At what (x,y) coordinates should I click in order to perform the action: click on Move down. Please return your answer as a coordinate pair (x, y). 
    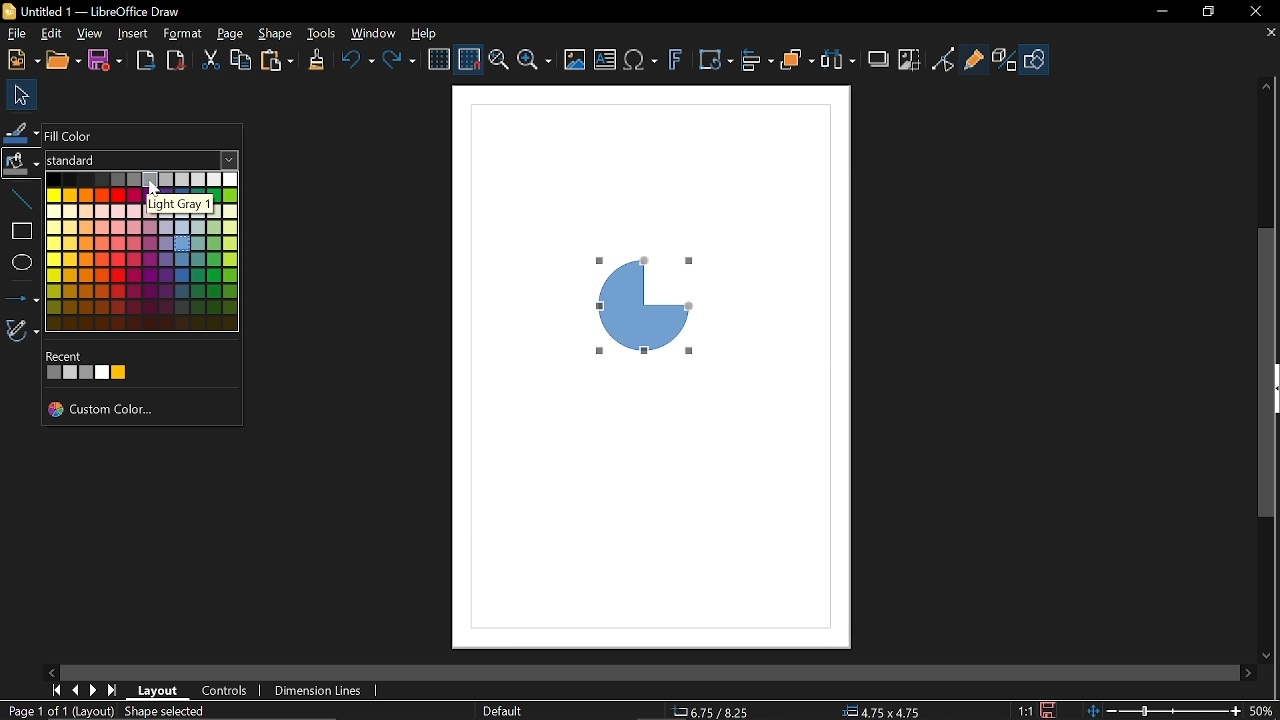
    Looking at the image, I should click on (1264, 656).